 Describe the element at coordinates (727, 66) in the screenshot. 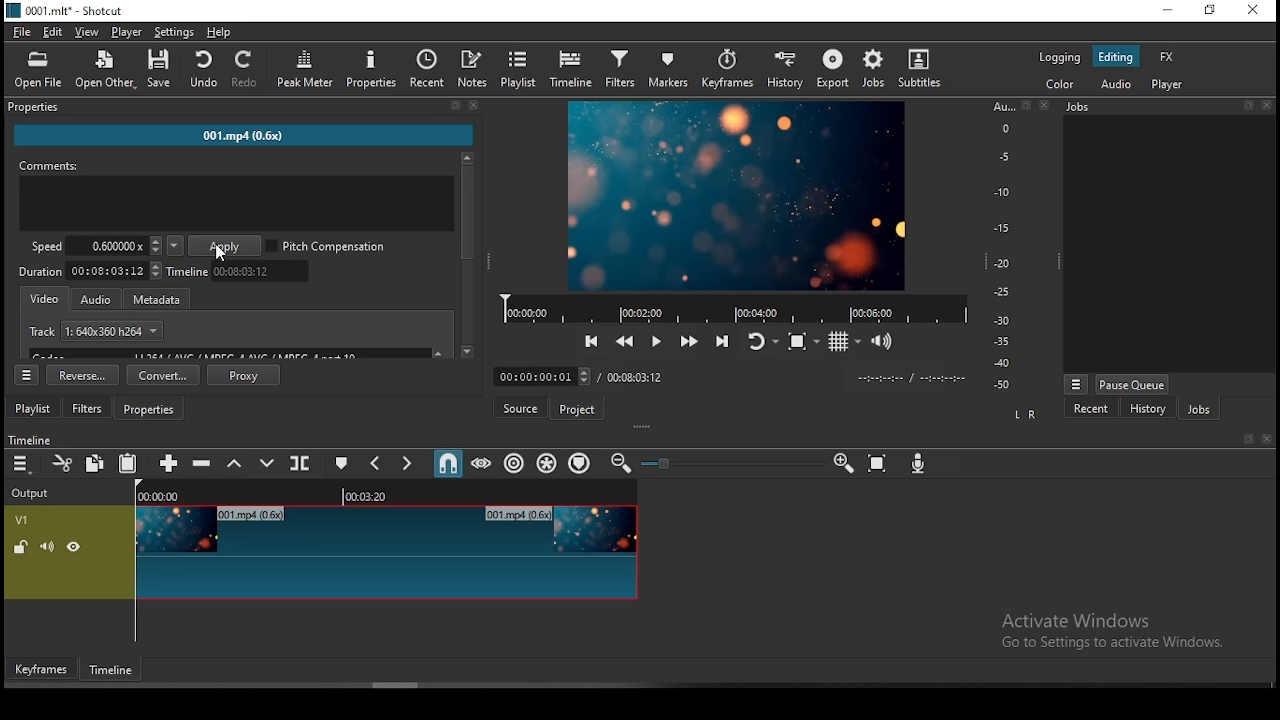

I see `keyframes` at that location.